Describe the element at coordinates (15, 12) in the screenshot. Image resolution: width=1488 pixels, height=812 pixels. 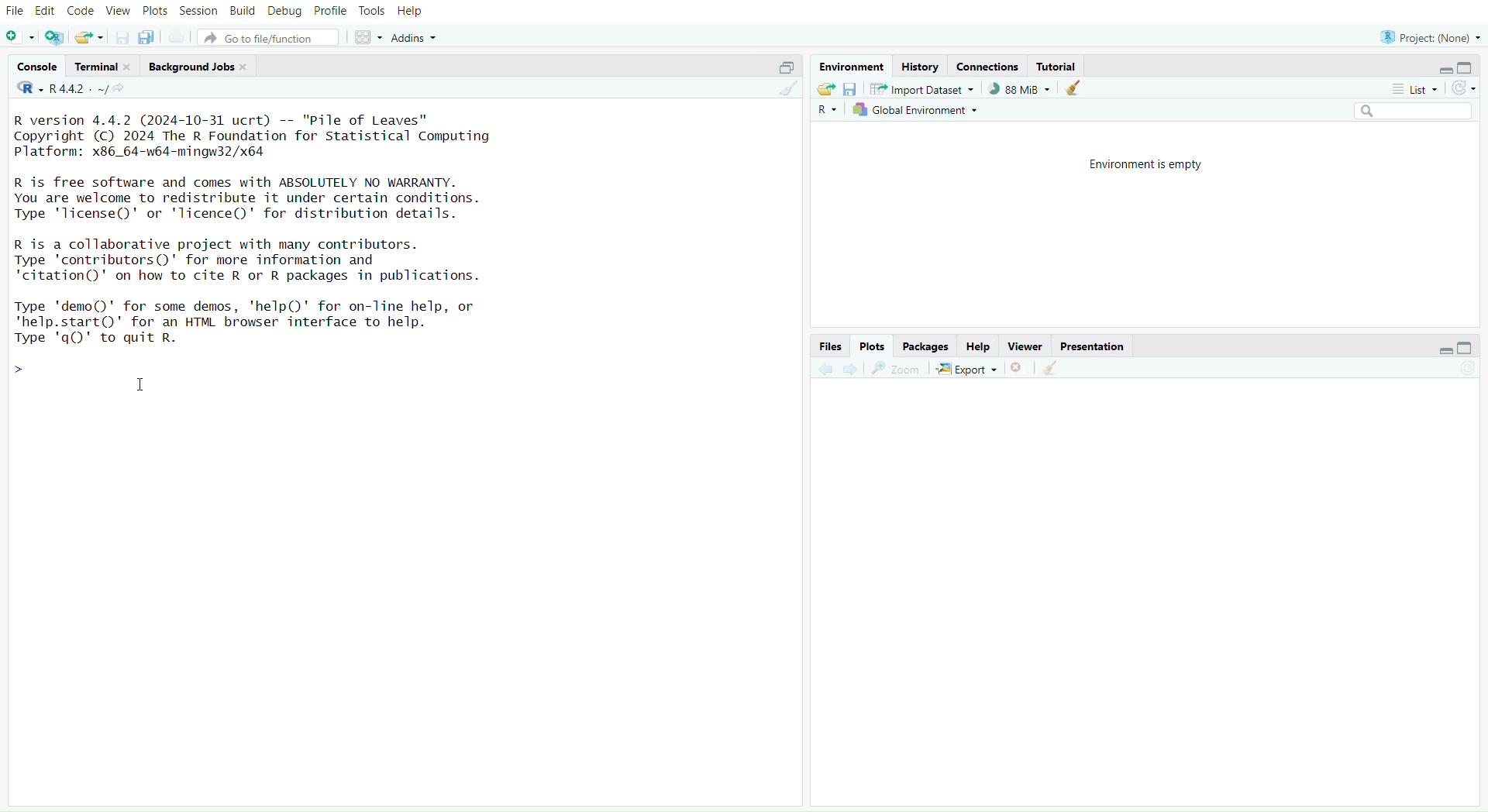
I see `file` at that location.